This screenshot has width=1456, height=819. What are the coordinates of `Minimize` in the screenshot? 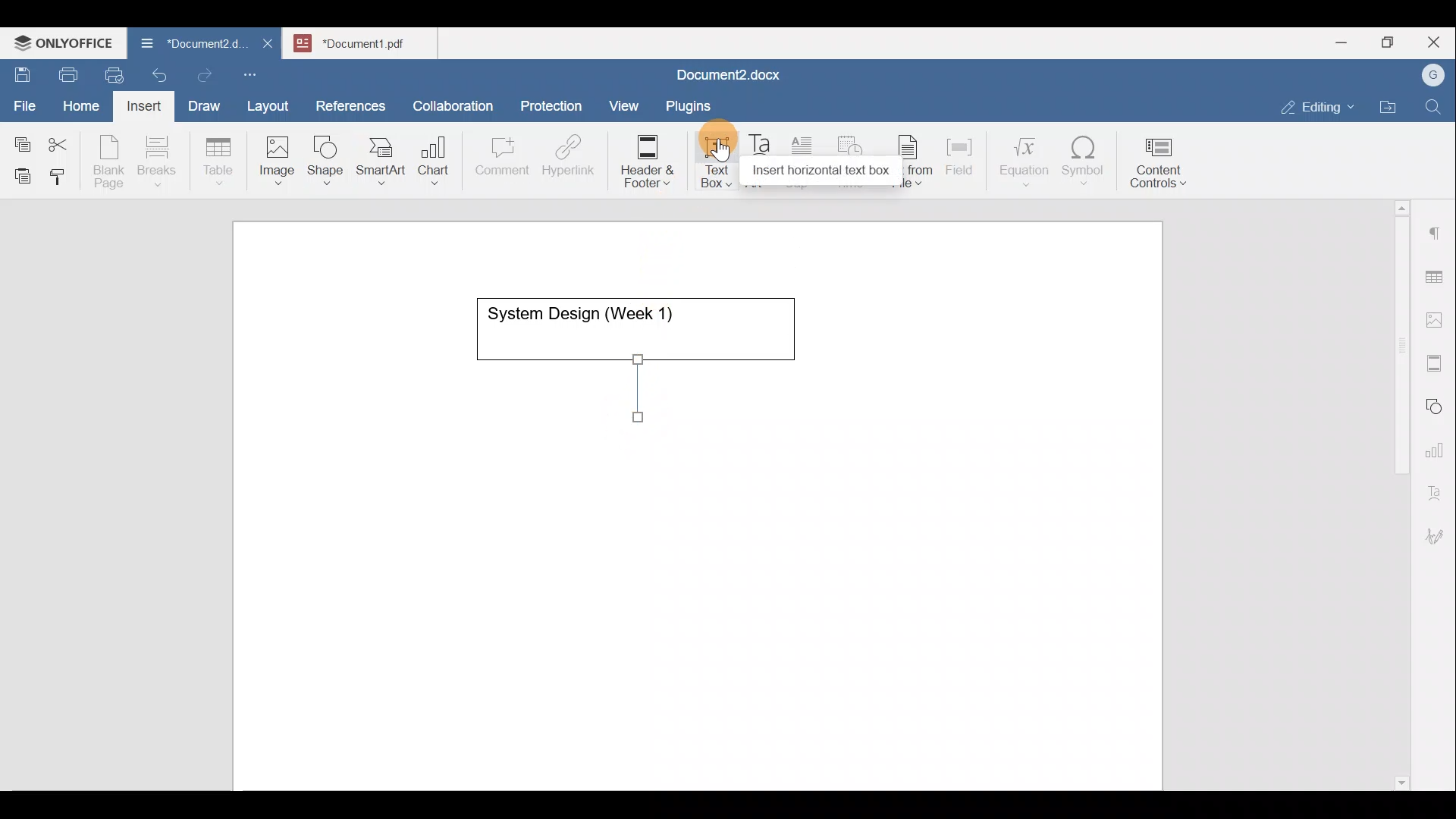 It's located at (1341, 41).